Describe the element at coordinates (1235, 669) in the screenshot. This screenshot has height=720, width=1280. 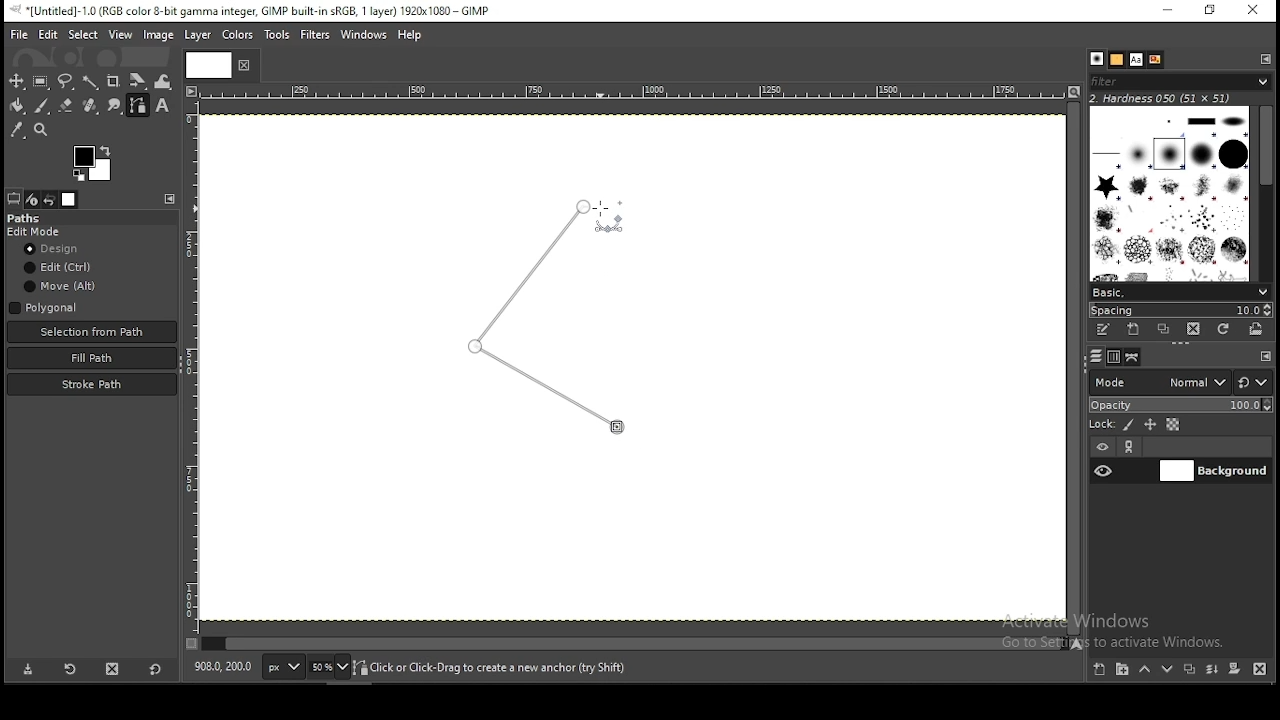
I see `add a mask` at that location.